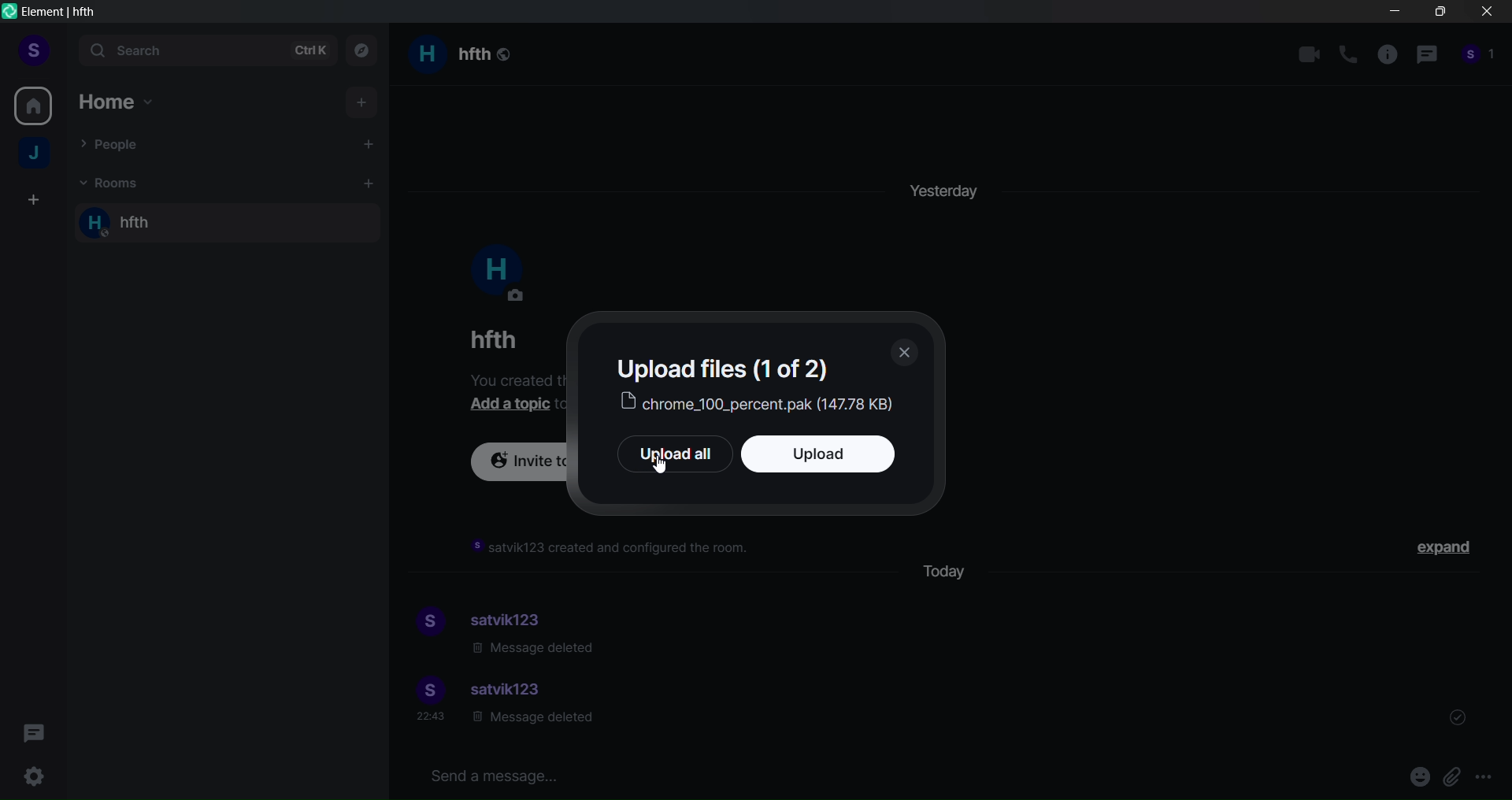  What do you see at coordinates (514, 406) in the screenshot?
I see `add a topic` at bounding box center [514, 406].